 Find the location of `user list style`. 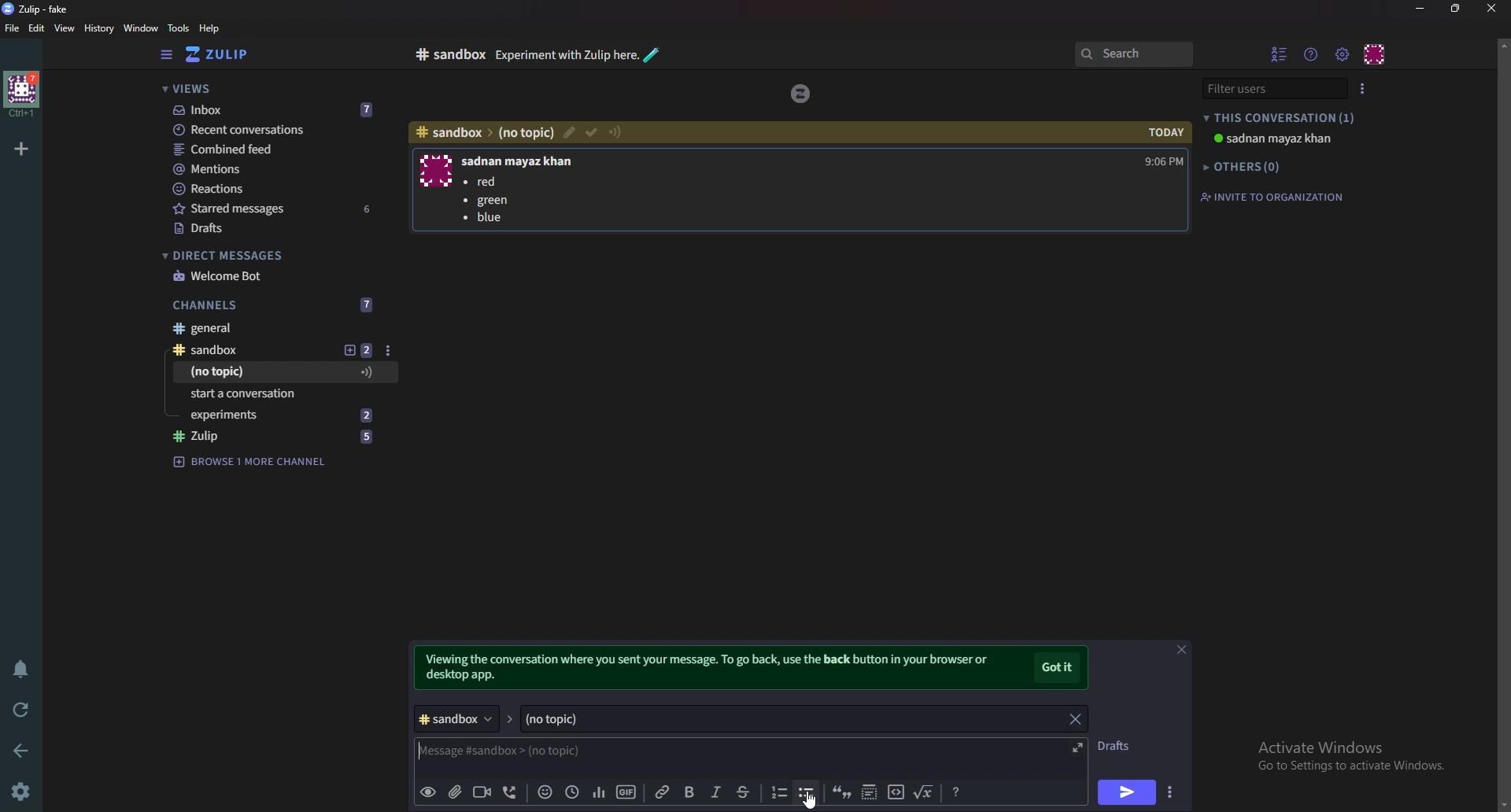

user list style is located at coordinates (1361, 89).